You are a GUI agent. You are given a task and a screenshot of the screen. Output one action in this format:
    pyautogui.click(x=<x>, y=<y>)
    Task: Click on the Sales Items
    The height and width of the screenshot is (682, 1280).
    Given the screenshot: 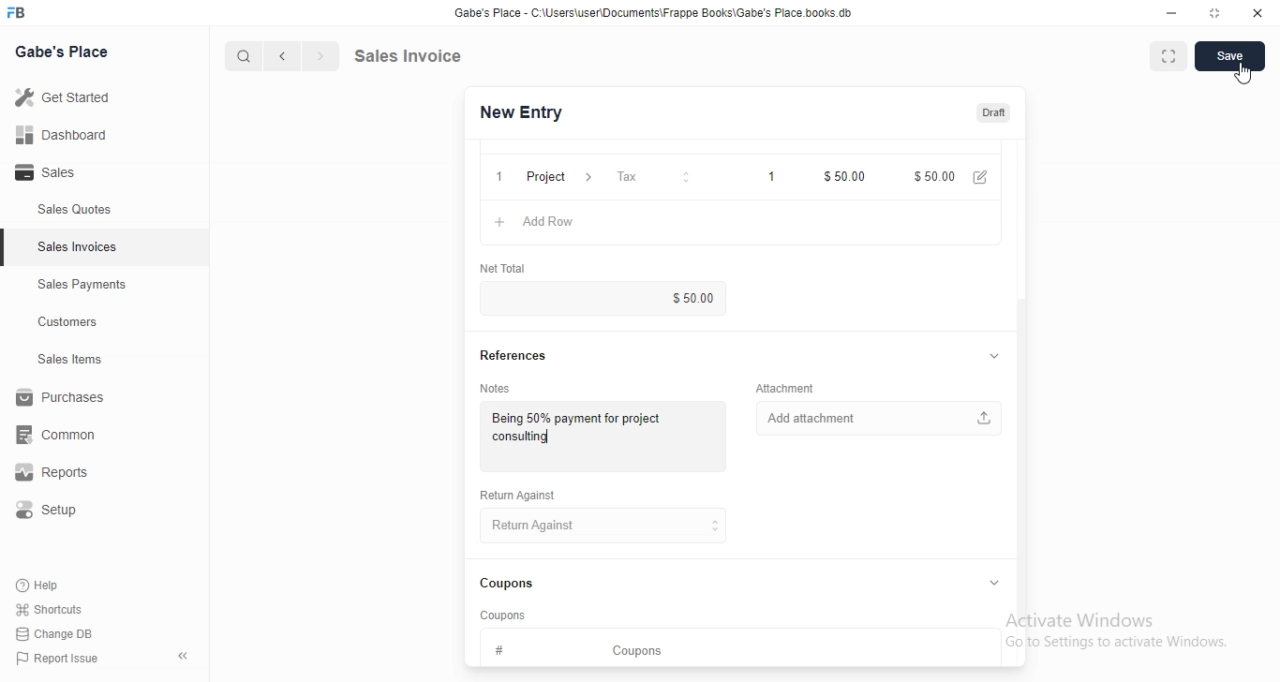 What is the action you would take?
    pyautogui.click(x=61, y=360)
    